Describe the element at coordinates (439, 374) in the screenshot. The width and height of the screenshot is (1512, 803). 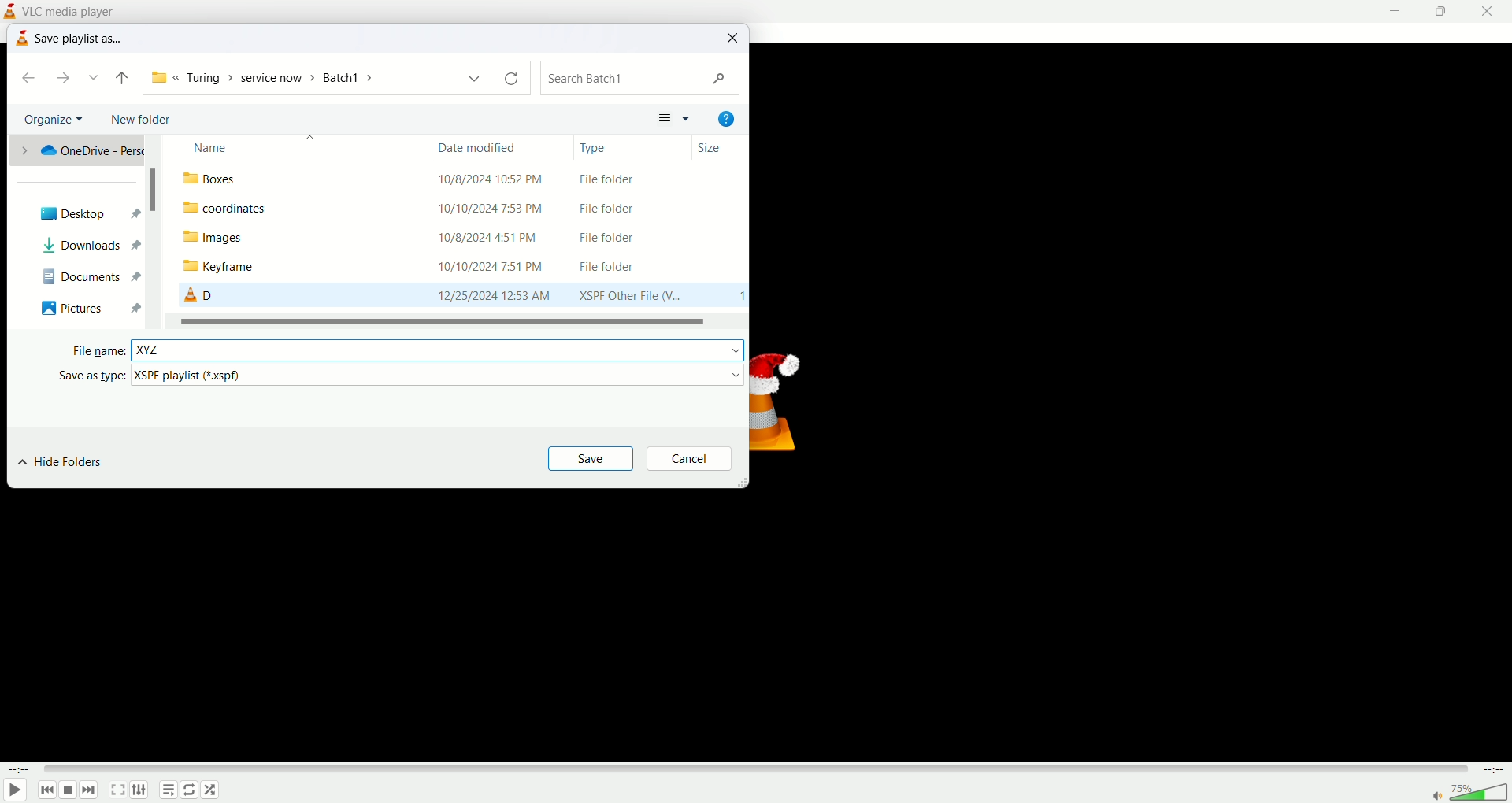
I see `file type` at that location.